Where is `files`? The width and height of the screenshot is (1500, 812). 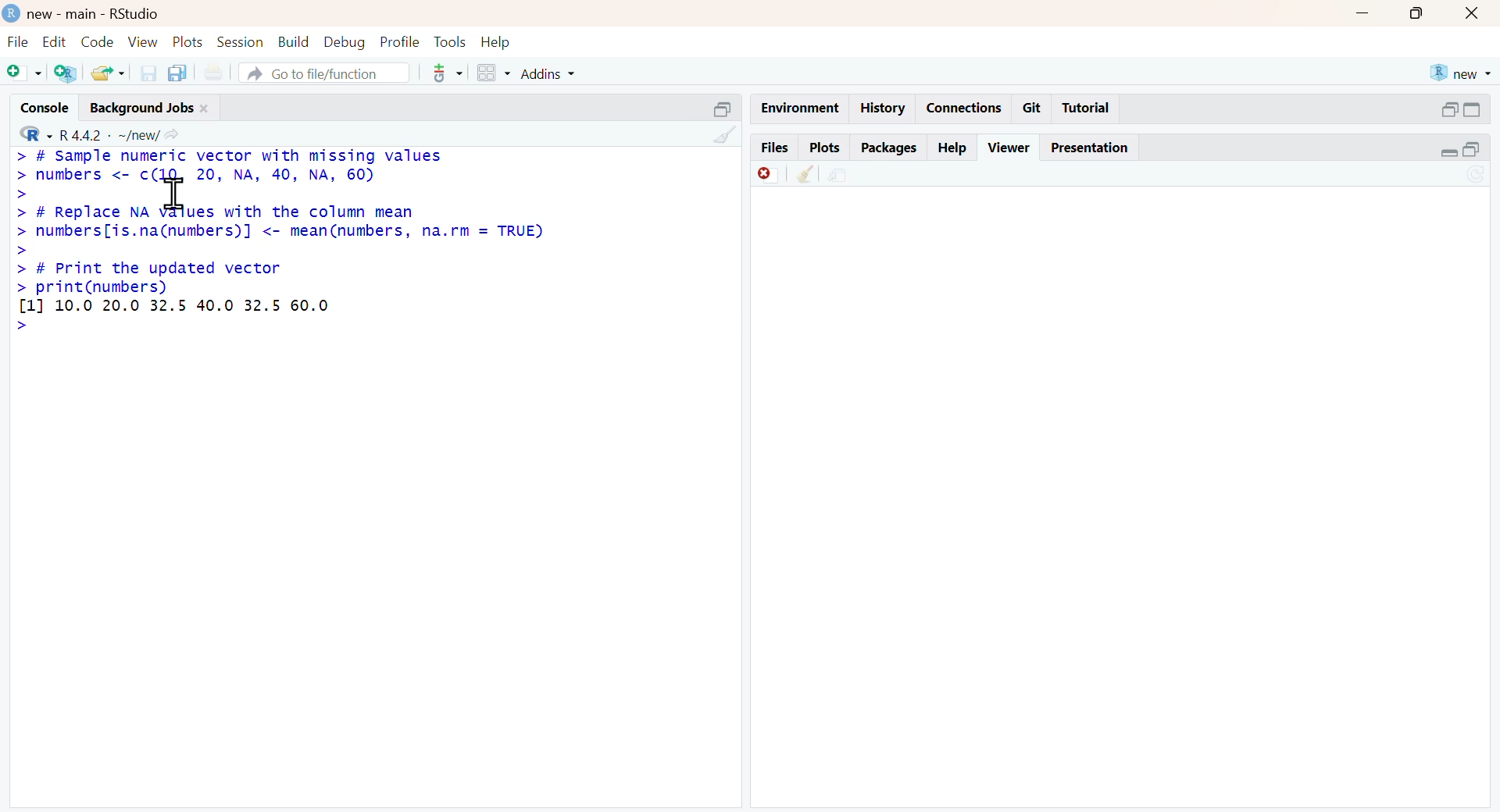
files is located at coordinates (775, 147).